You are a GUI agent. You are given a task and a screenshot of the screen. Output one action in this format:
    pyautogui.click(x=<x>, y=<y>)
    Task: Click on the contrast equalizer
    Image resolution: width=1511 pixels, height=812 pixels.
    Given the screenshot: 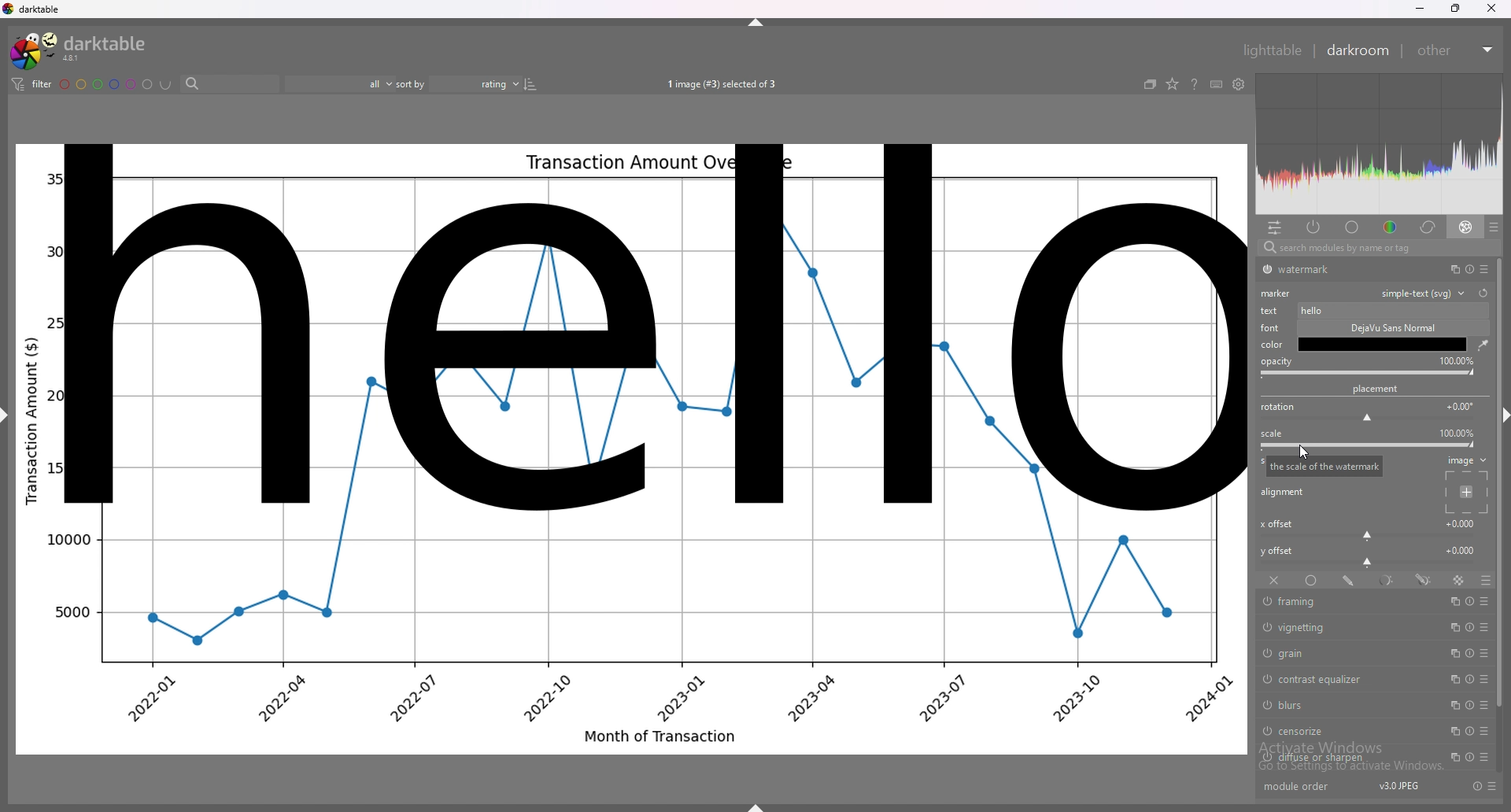 What is the action you would take?
    pyautogui.click(x=1343, y=679)
    